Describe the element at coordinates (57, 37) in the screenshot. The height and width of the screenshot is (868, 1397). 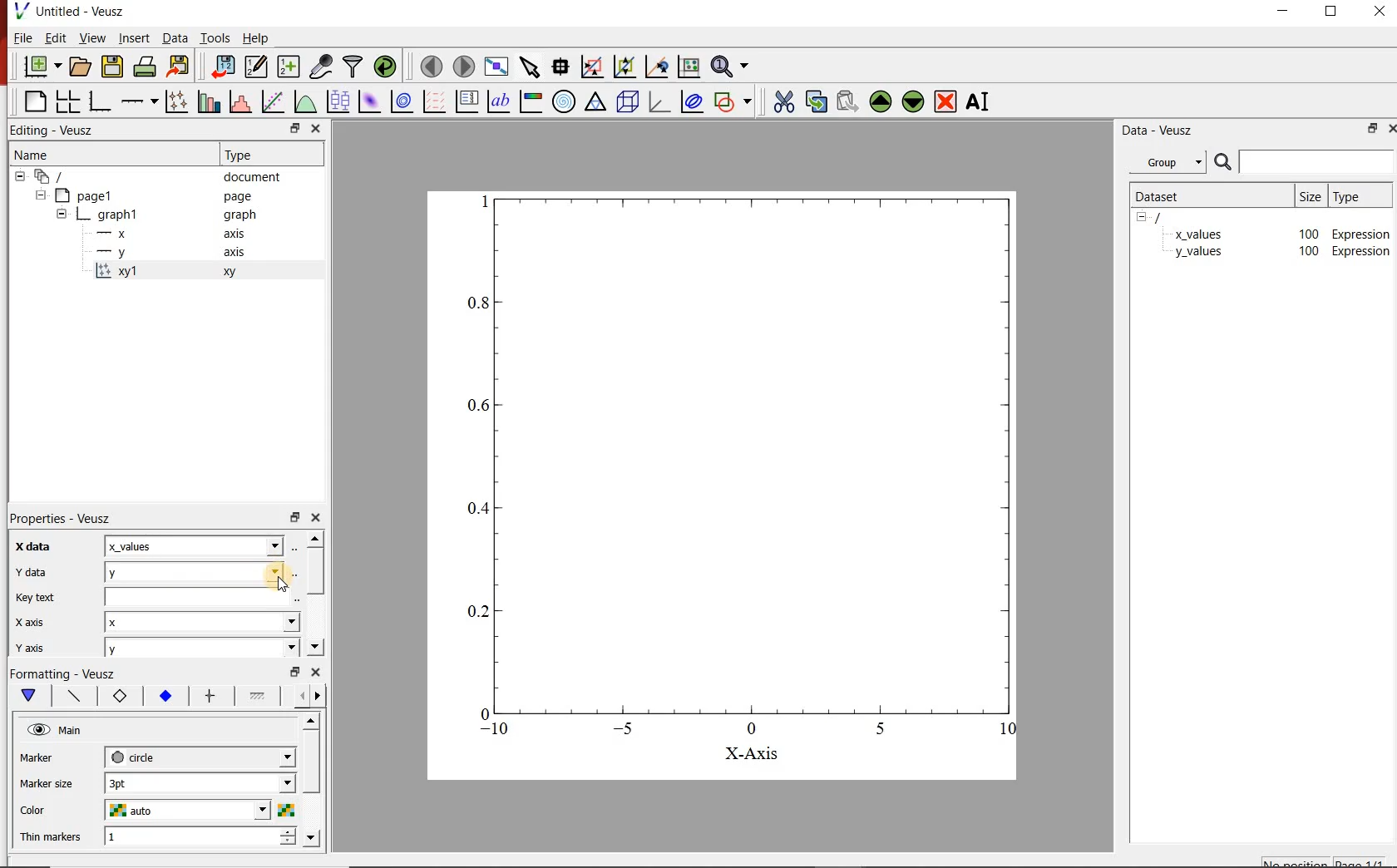
I see `edit ` at that location.